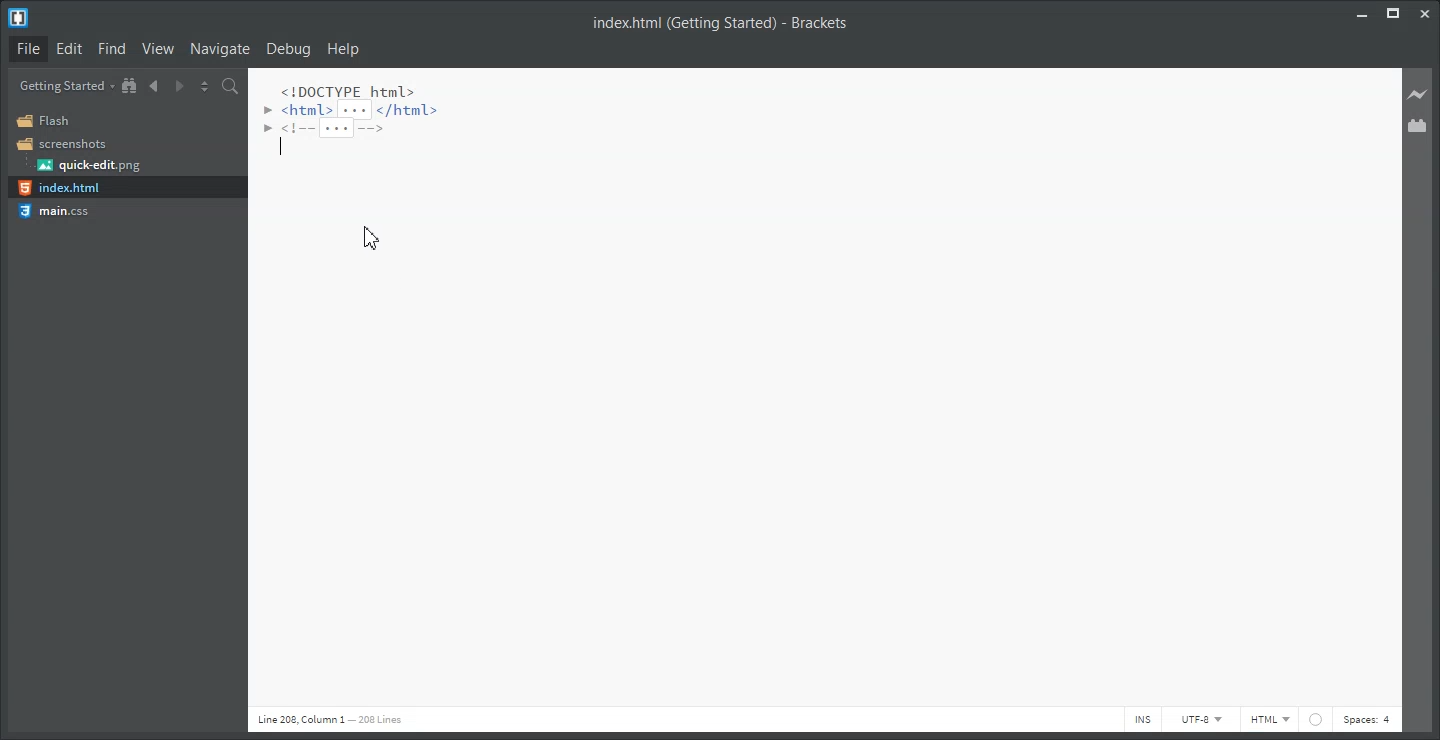  What do you see at coordinates (45, 120) in the screenshot?
I see `Flash` at bounding box center [45, 120].